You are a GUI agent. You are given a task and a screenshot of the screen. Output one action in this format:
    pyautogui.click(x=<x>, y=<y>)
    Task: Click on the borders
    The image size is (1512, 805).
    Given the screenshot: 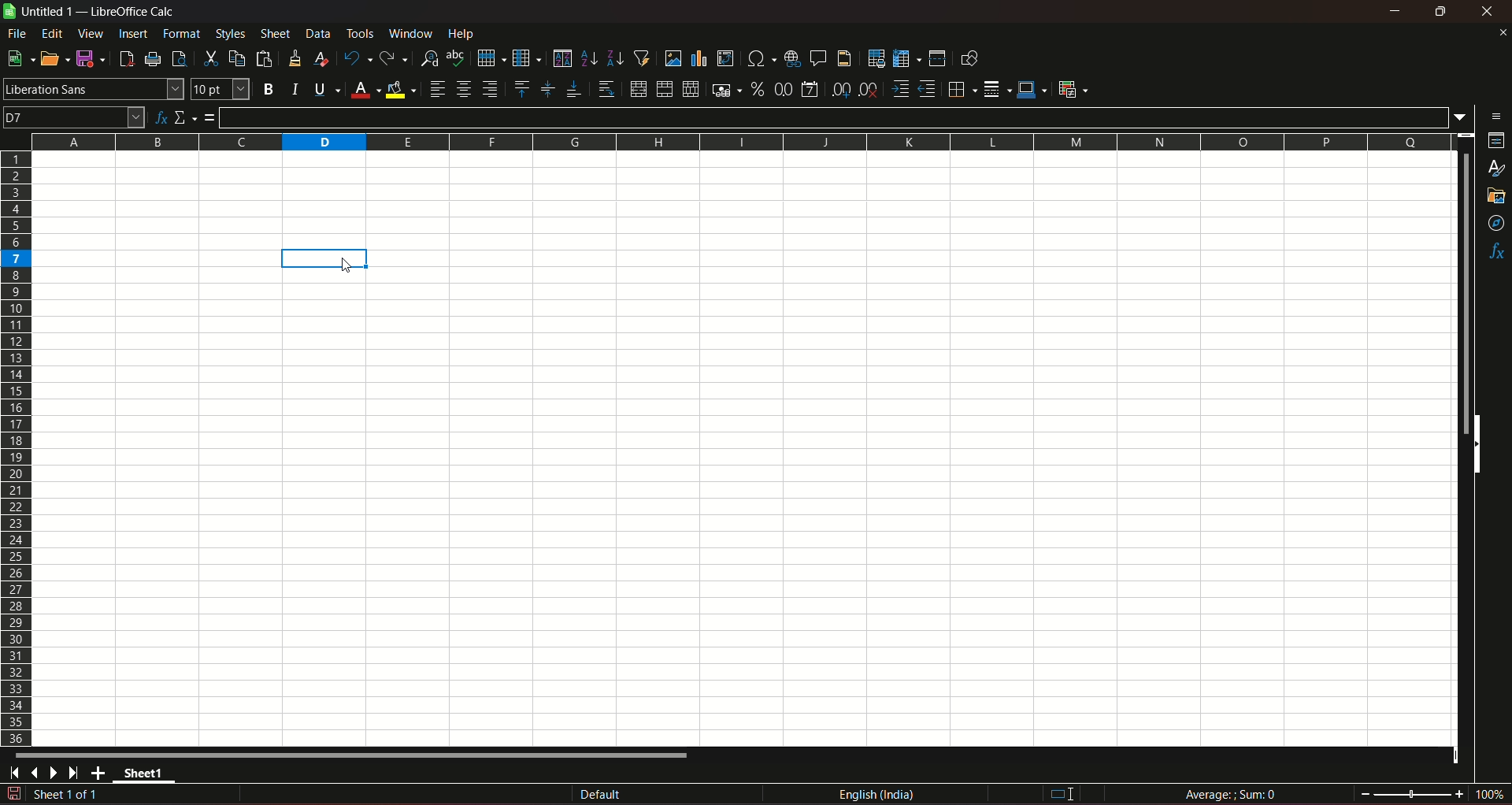 What is the action you would take?
    pyautogui.click(x=960, y=89)
    